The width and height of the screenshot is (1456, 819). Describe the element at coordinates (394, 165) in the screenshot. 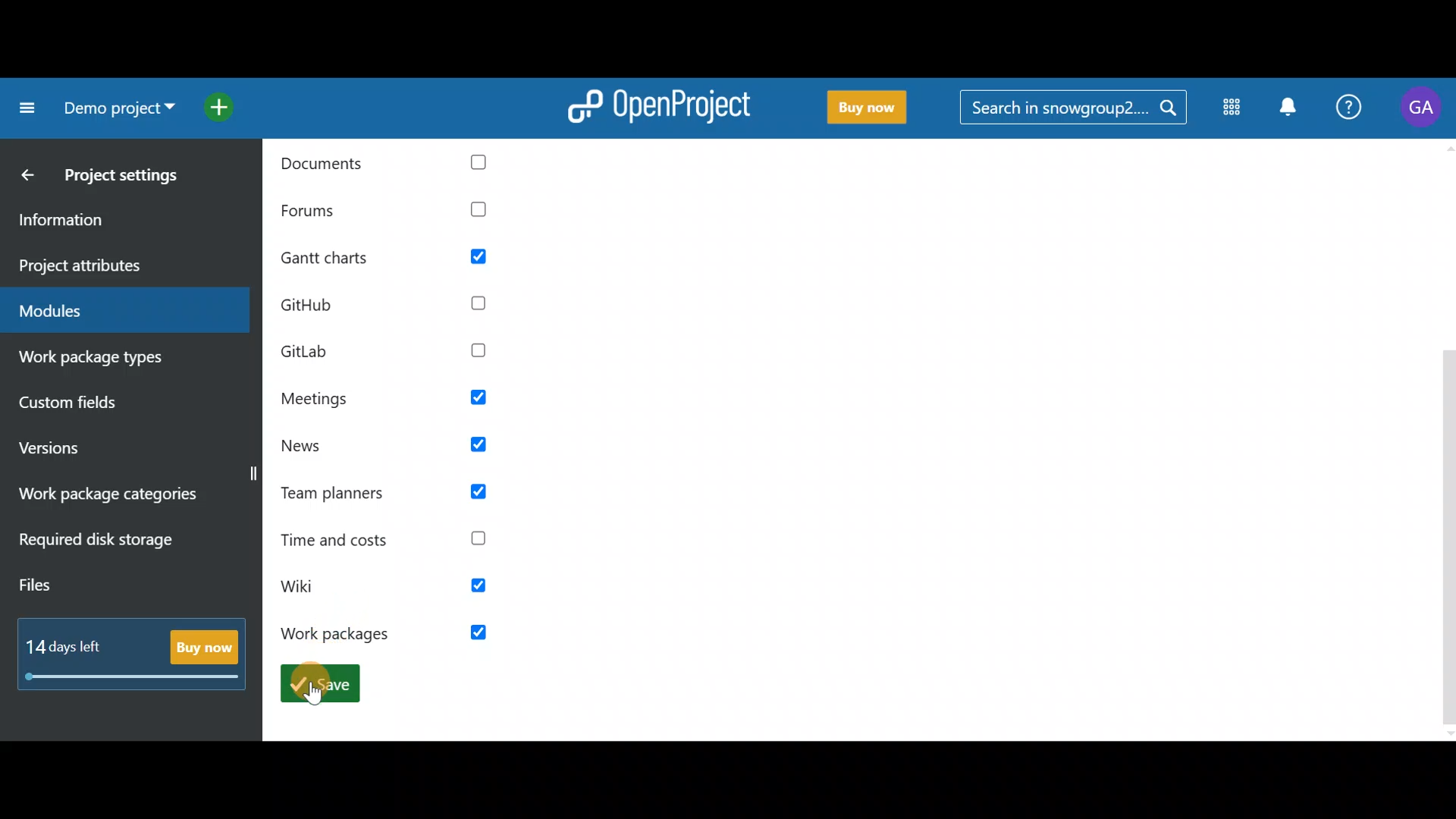

I see `documents` at that location.